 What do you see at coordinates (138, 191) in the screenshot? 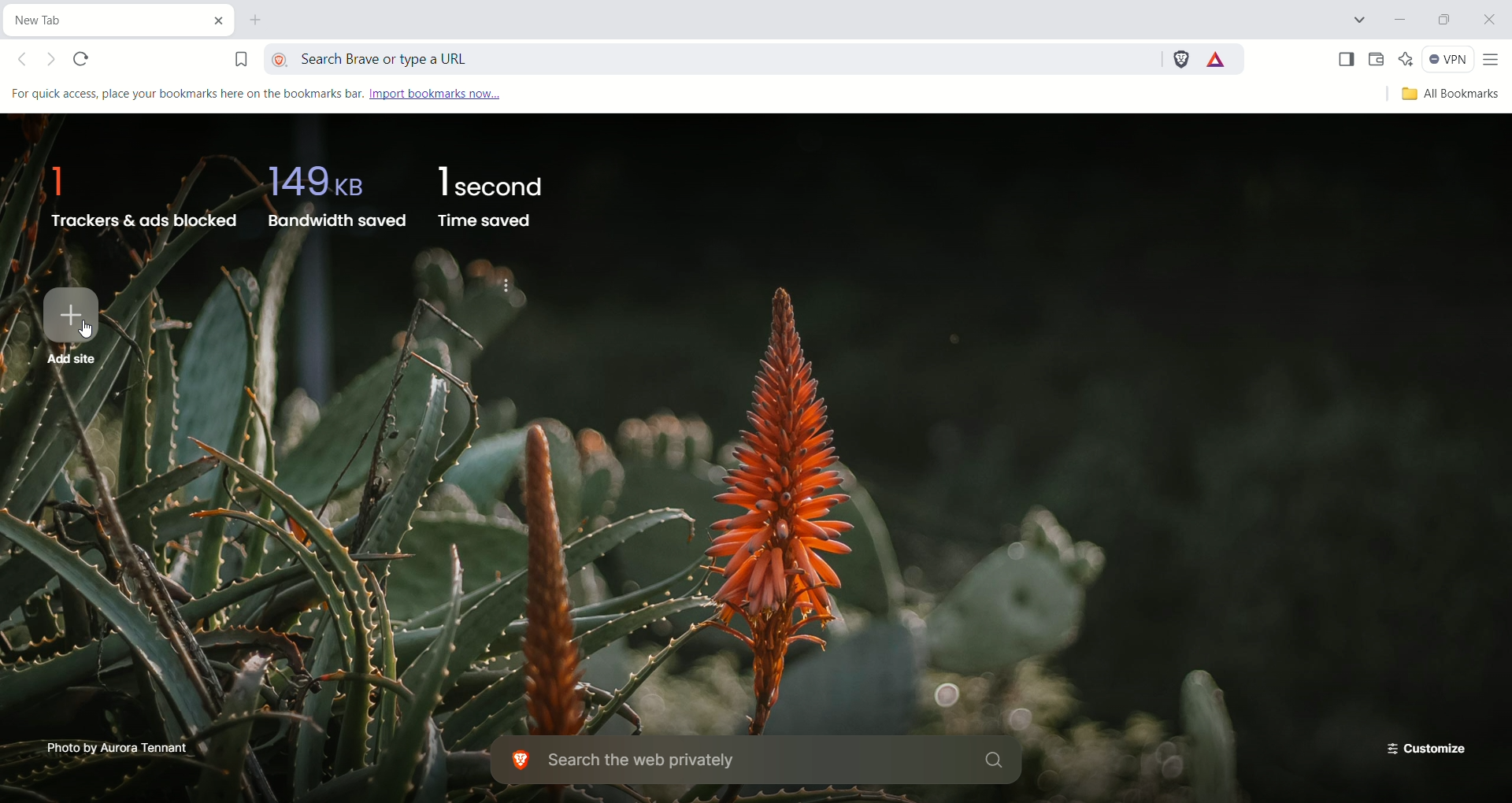
I see `trackers & ads blocked` at bounding box center [138, 191].